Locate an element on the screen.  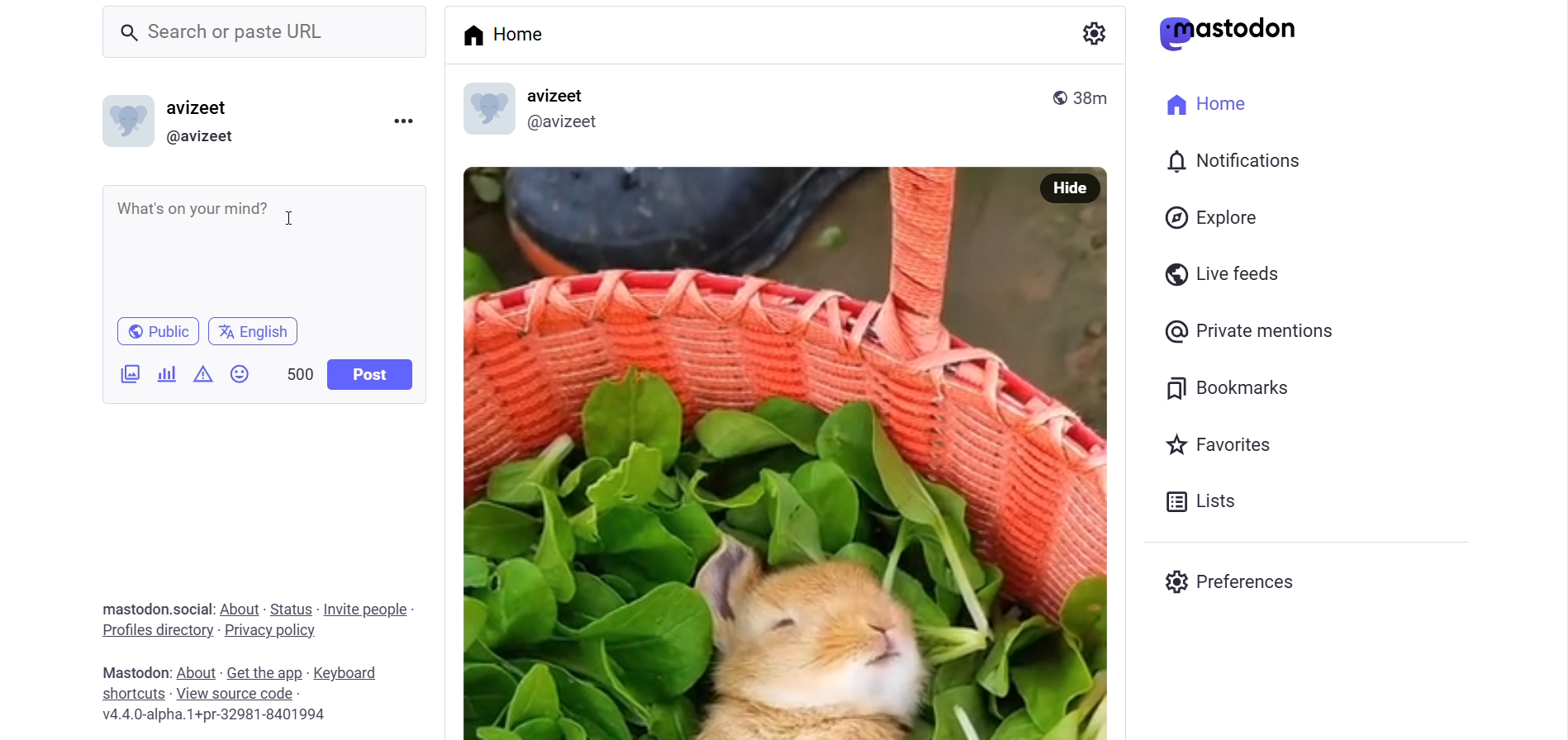
Public is located at coordinates (160, 330).